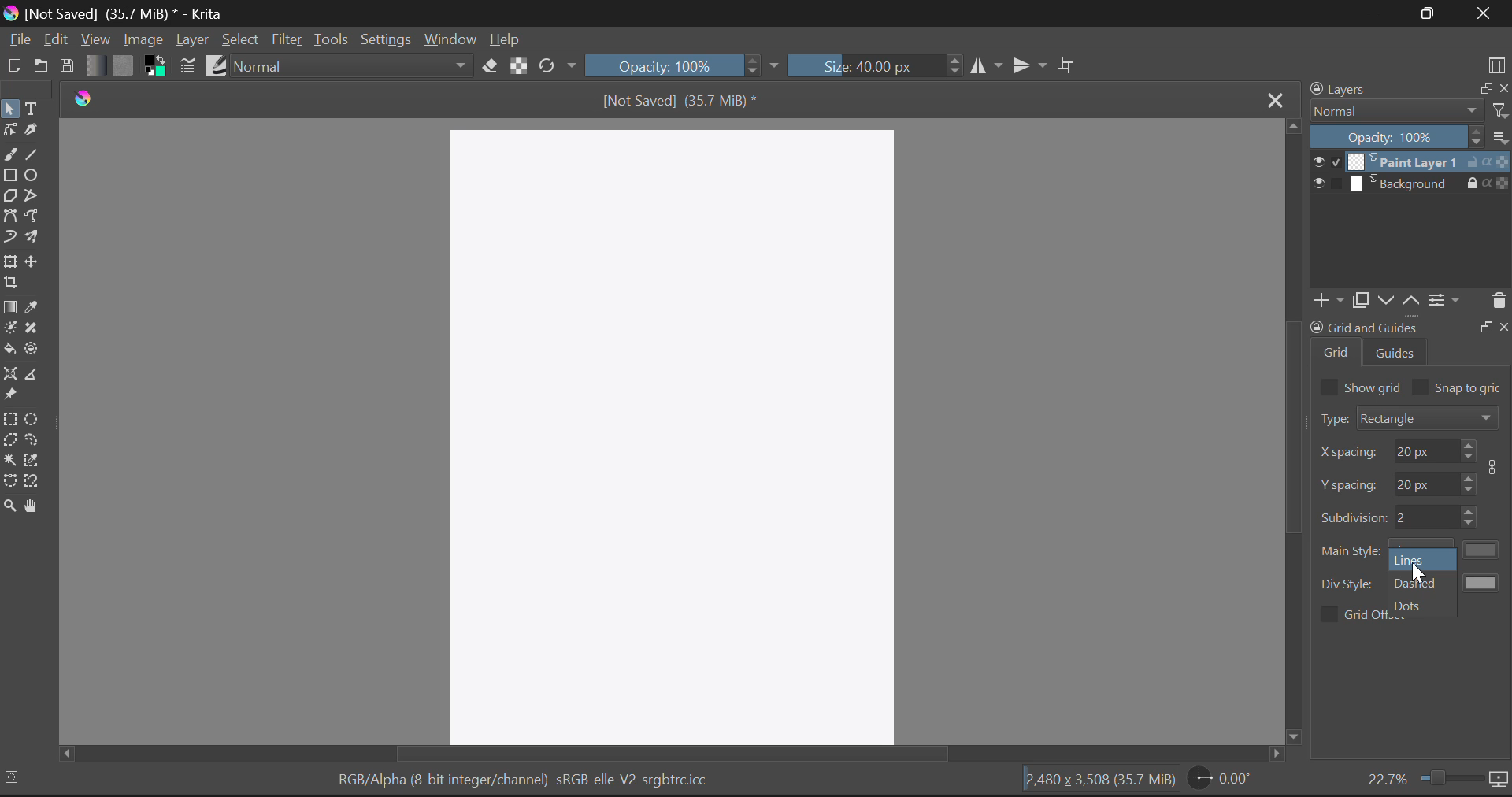  Describe the element at coordinates (1488, 182) in the screenshot. I see `actions` at that location.